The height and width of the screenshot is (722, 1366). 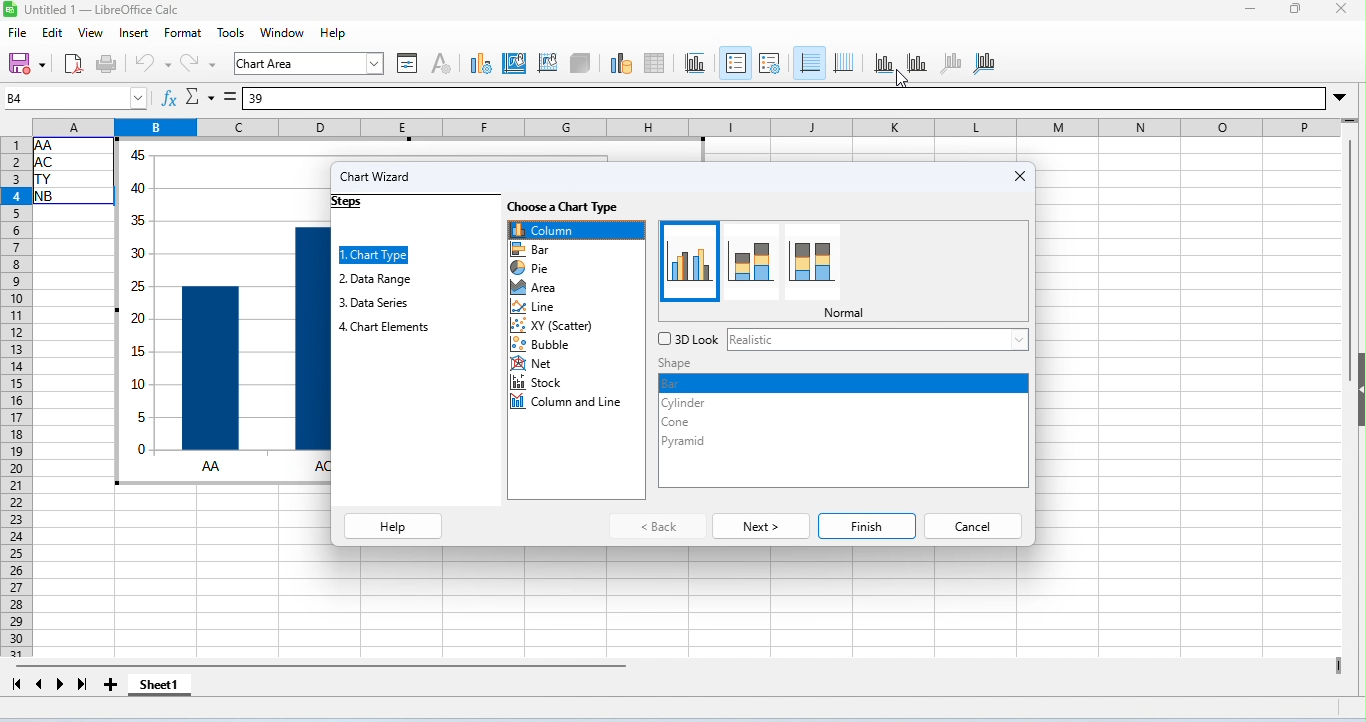 I want to click on window, so click(x=283, y=32).